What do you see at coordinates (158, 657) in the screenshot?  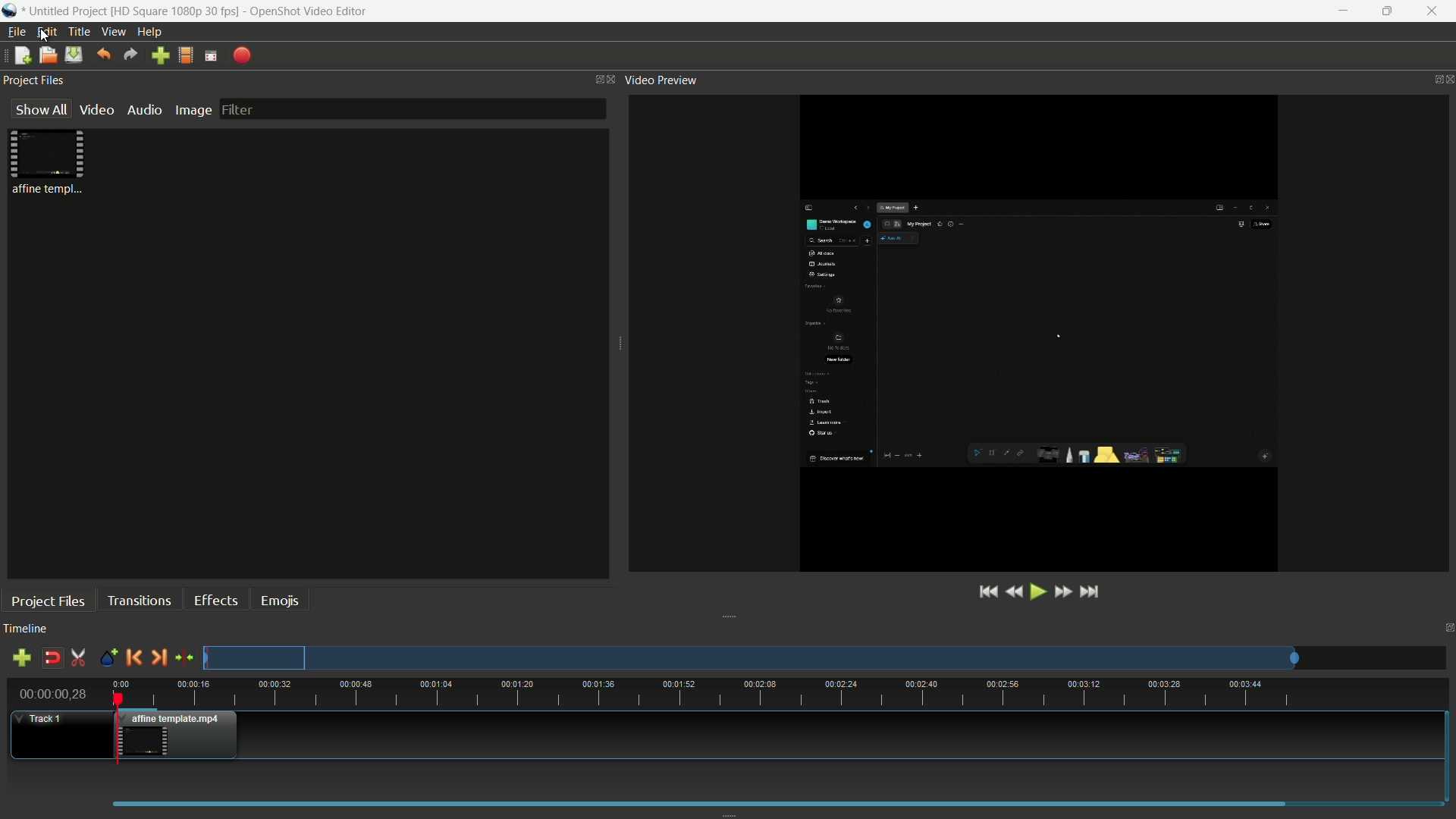 I see `next marker` at bounding box center [158, 657].